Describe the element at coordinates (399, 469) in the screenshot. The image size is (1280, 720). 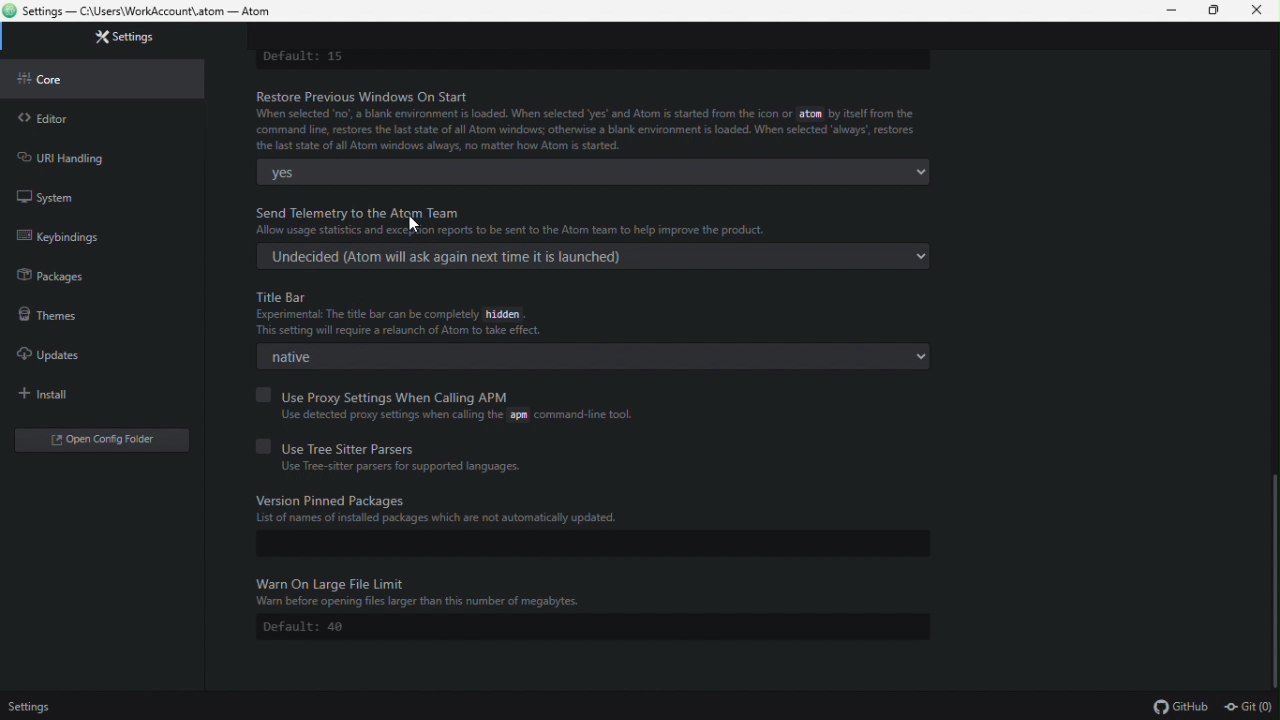
I see `Use Tree-sitter parsers for supported languages.` at that location.